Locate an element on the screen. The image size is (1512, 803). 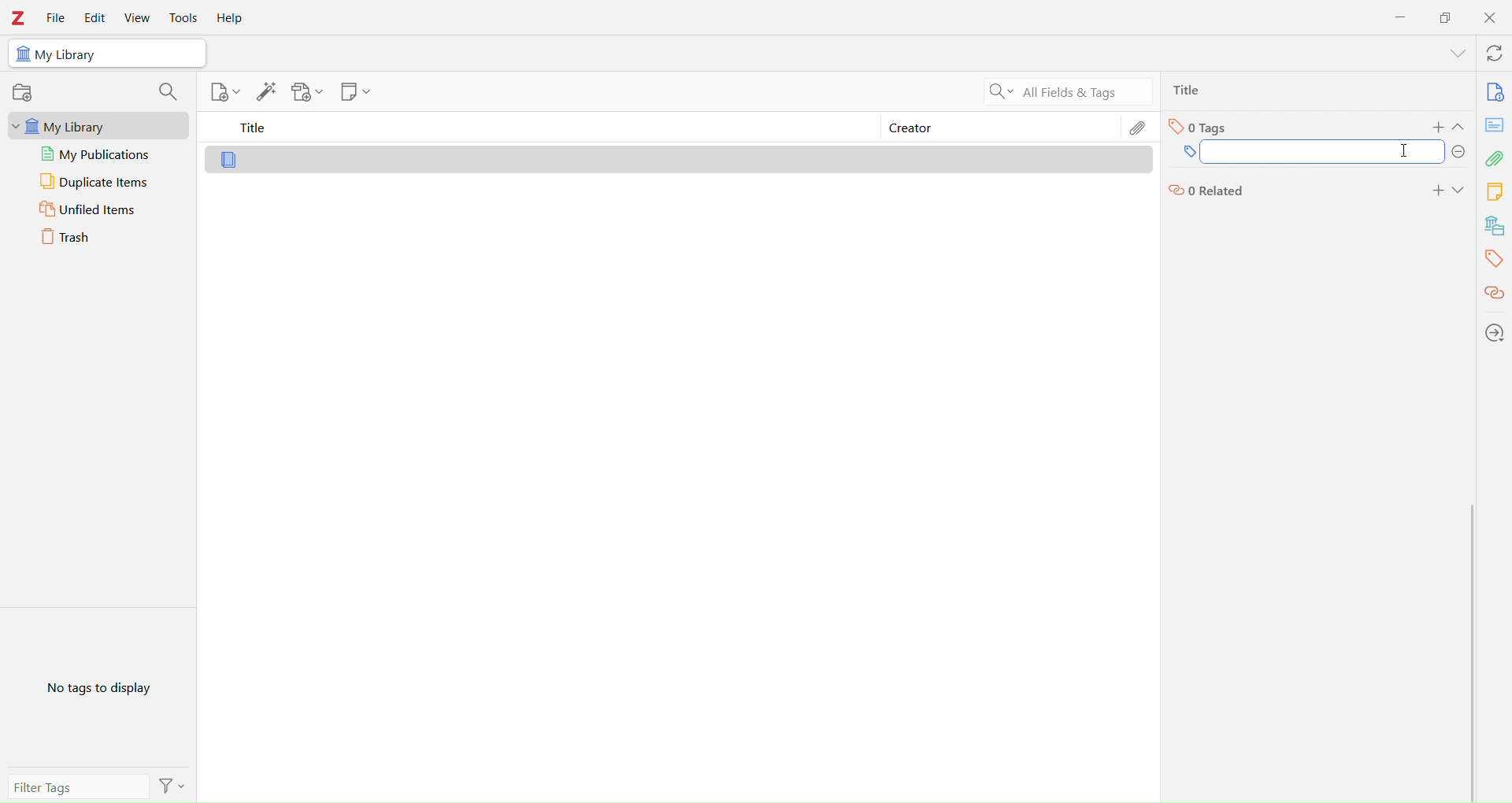
Close is located at coordinates (1491, 17).